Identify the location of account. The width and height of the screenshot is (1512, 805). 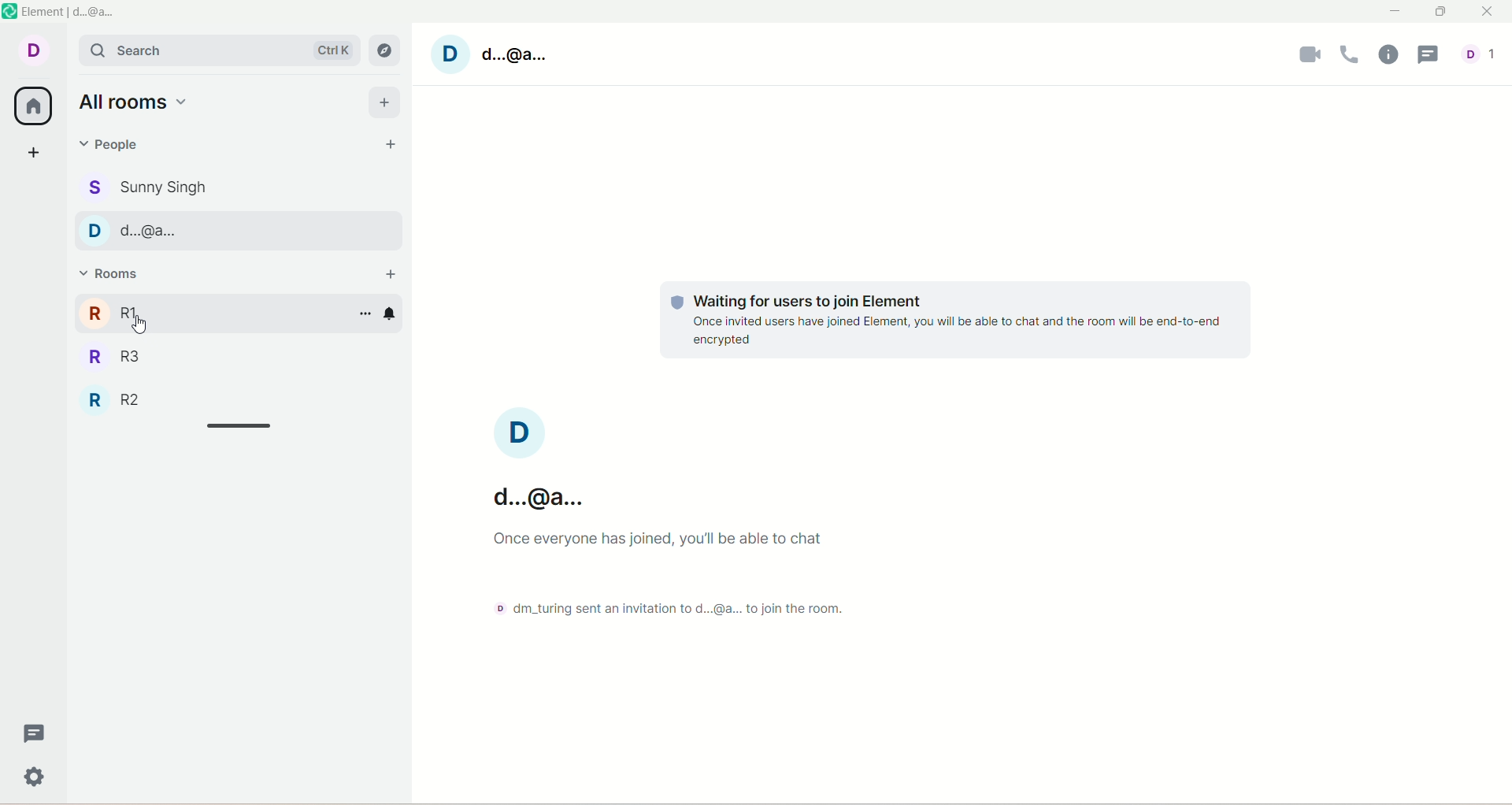
(32, 51).